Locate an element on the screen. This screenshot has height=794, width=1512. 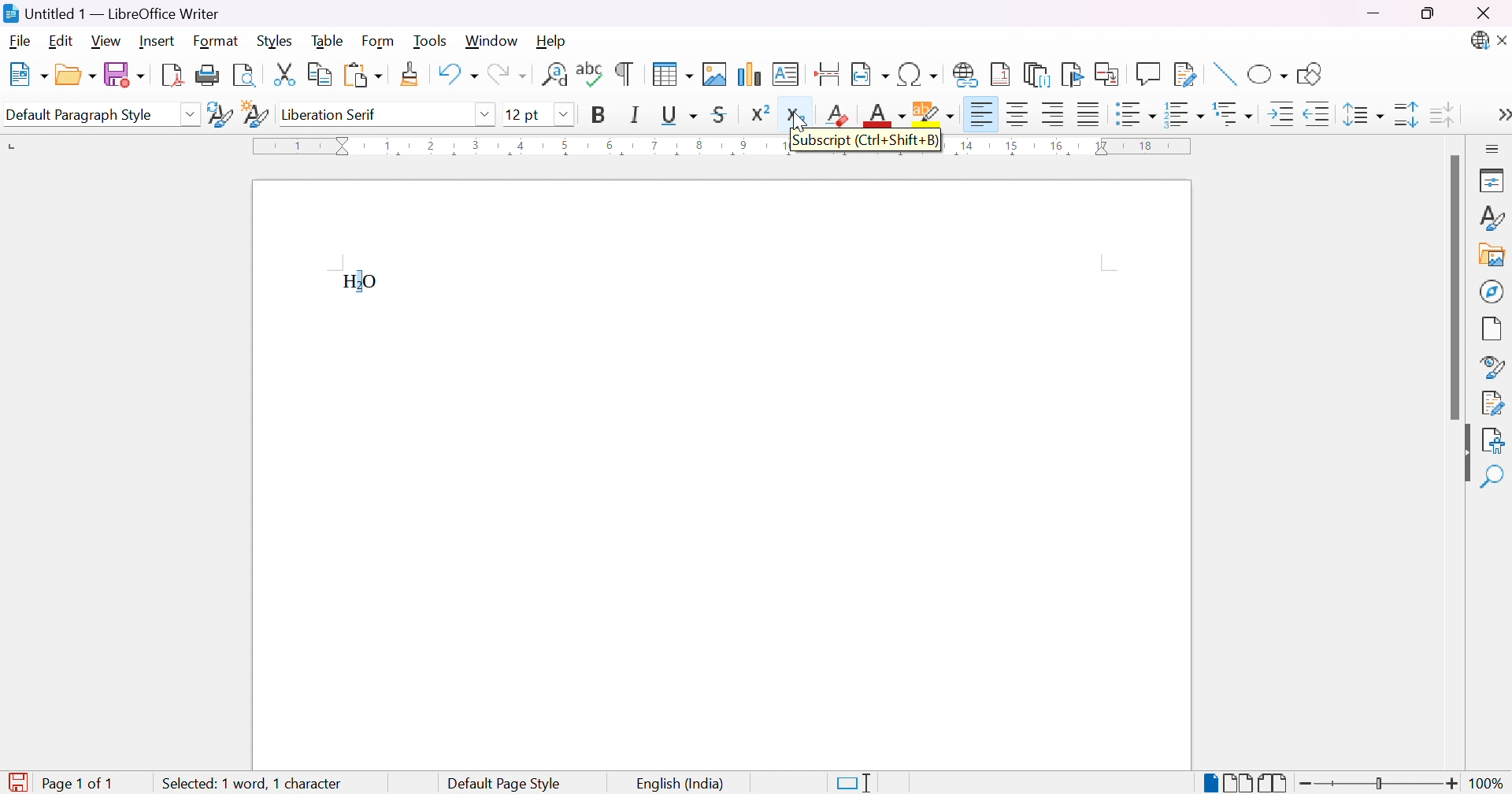
Toggle unordered list is located at coordinates (1137, 117).